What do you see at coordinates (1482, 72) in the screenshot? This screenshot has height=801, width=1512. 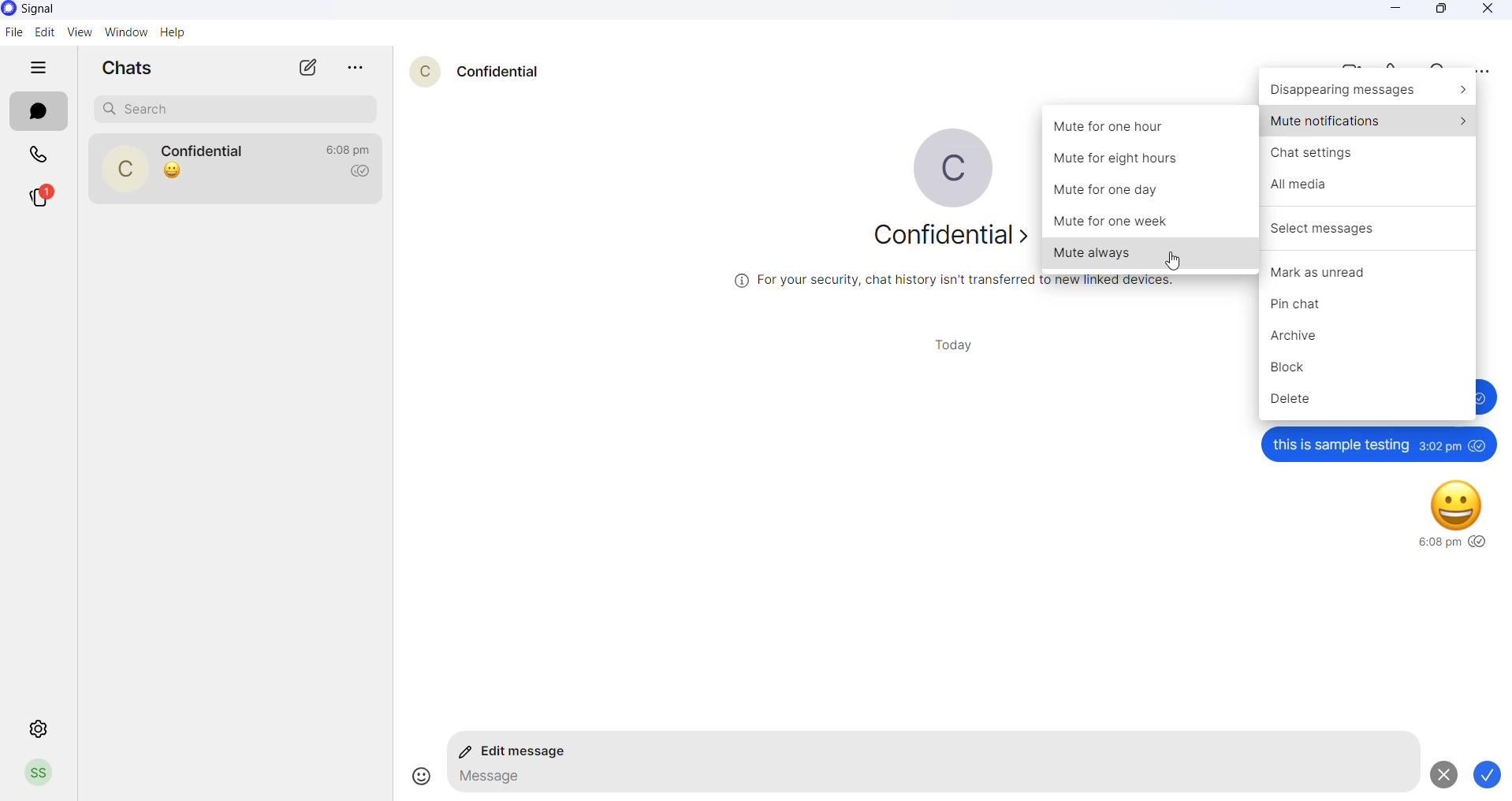 I see `more options` at bounding box center [1482, 72].